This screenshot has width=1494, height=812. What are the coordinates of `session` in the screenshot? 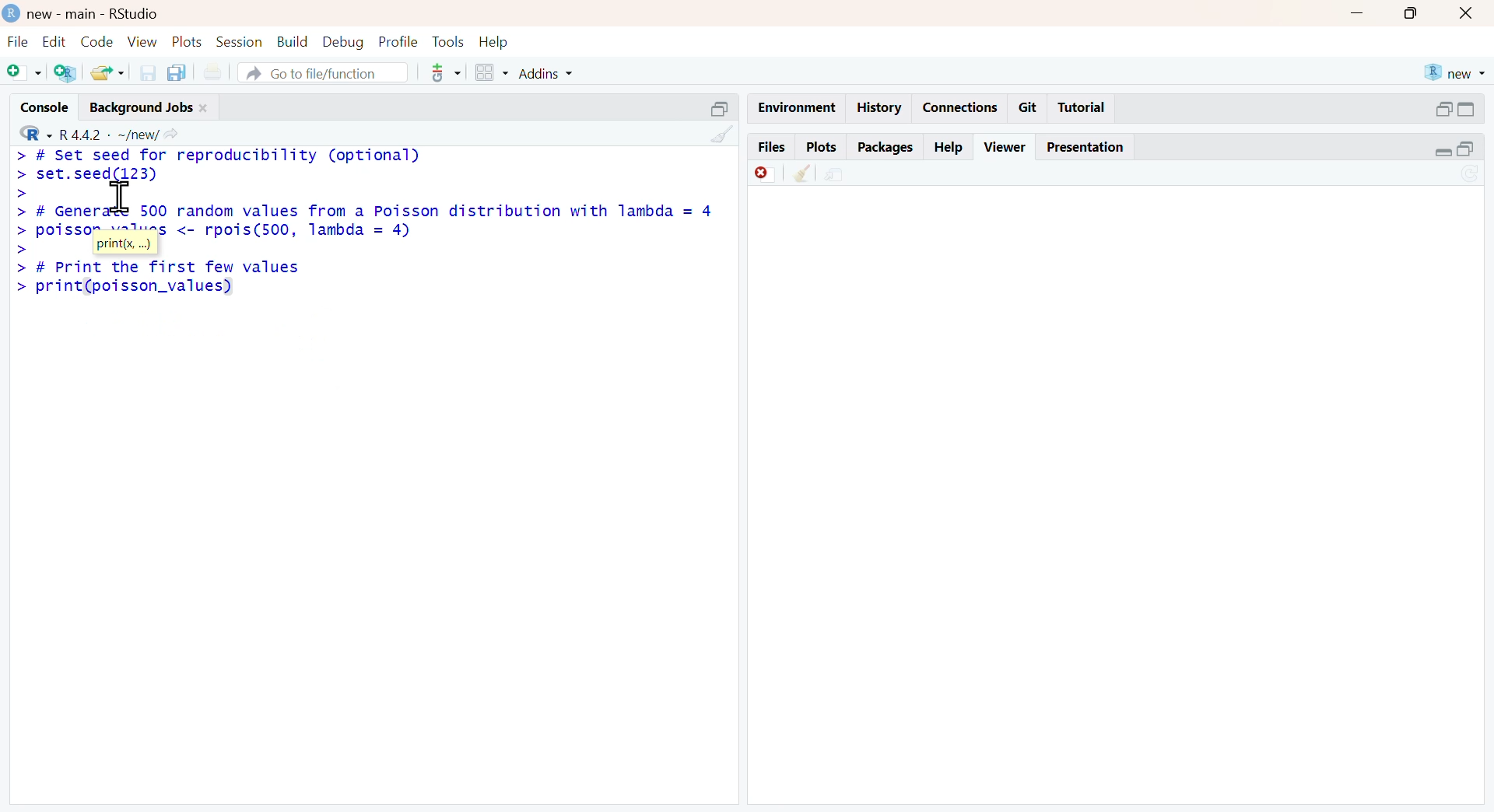 It's located at (238, 42).